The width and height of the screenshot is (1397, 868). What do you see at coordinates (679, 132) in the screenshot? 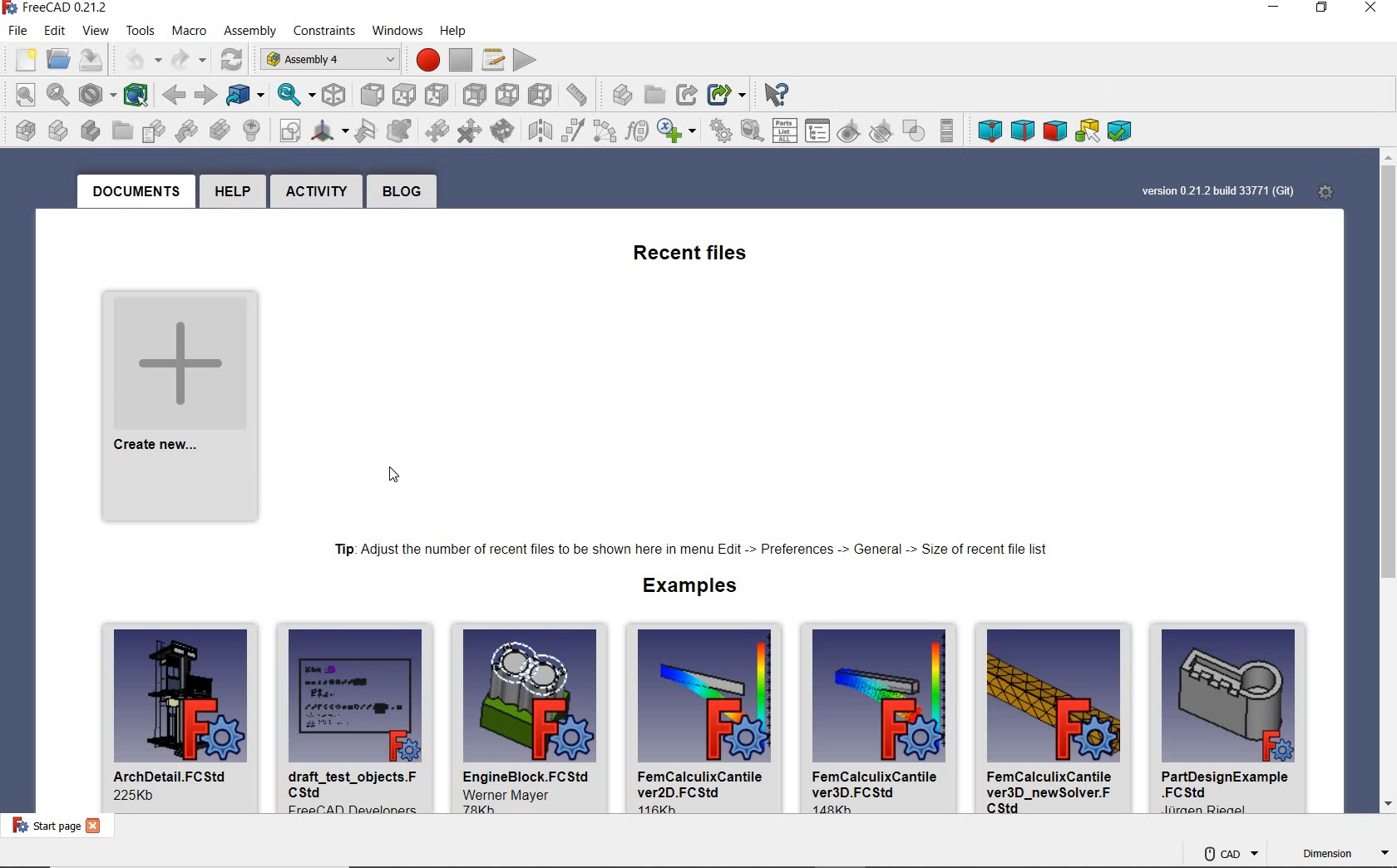
I see `symbols` at bounding box center [679, 132].